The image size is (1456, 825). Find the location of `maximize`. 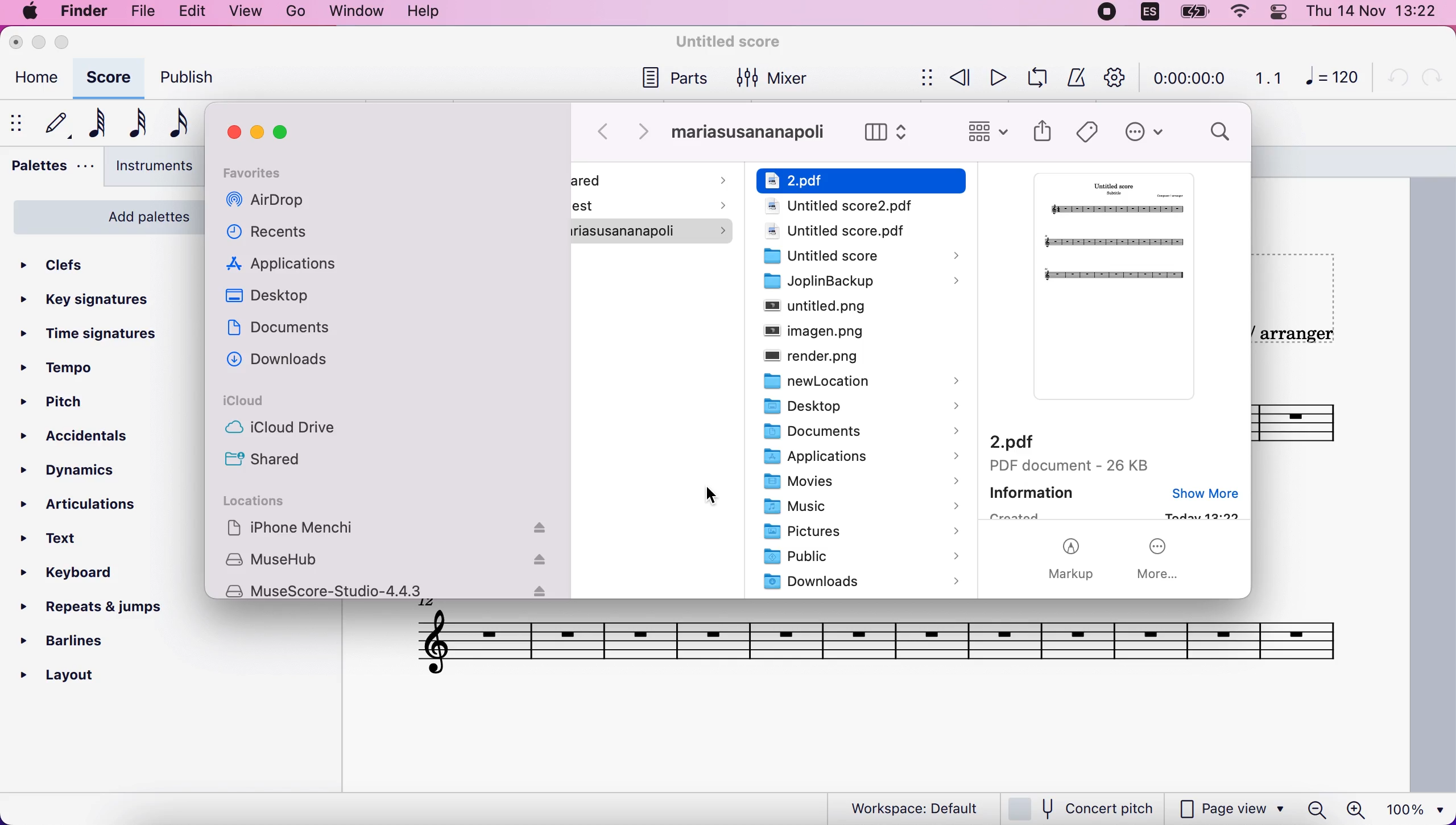

maximize is located at coordinates (68, 44).